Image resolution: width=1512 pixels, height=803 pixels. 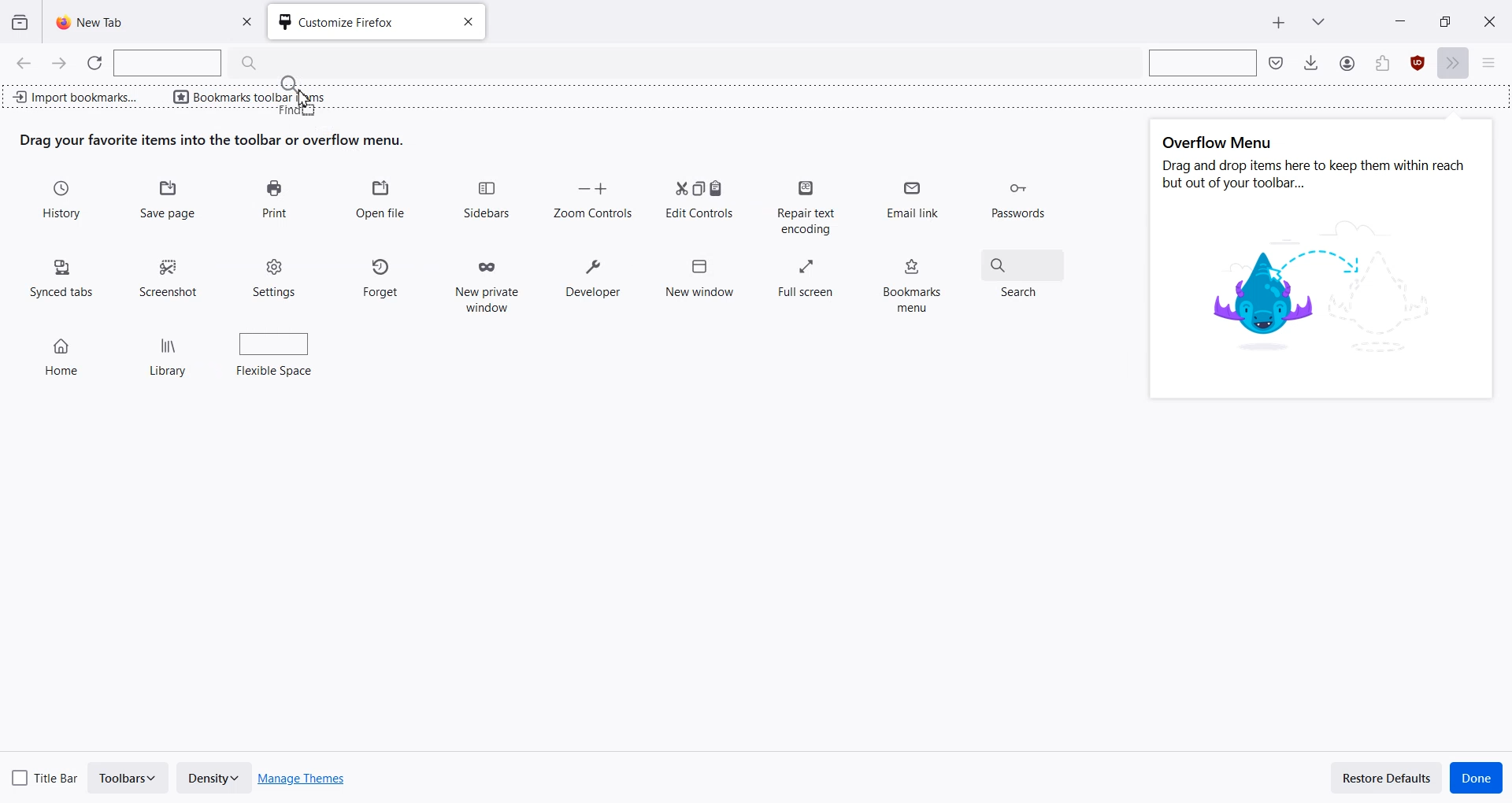 What do you see at coordinates (1017, 202) in the screenshot?
I see `Passwords` at bounding box center [1017, 202].